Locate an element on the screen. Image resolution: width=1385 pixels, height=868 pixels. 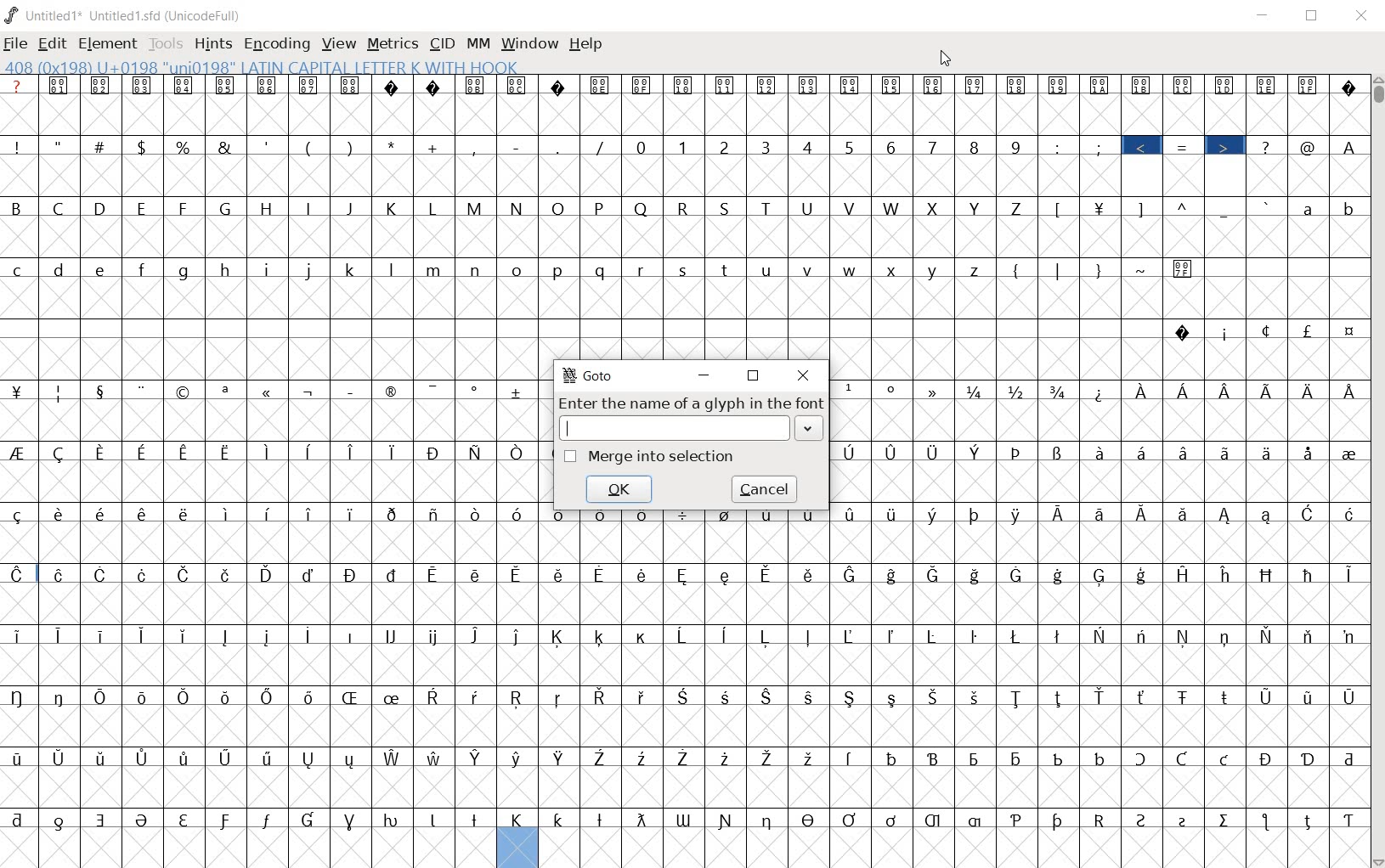
edited glyph is located at coordinates (953, 848).